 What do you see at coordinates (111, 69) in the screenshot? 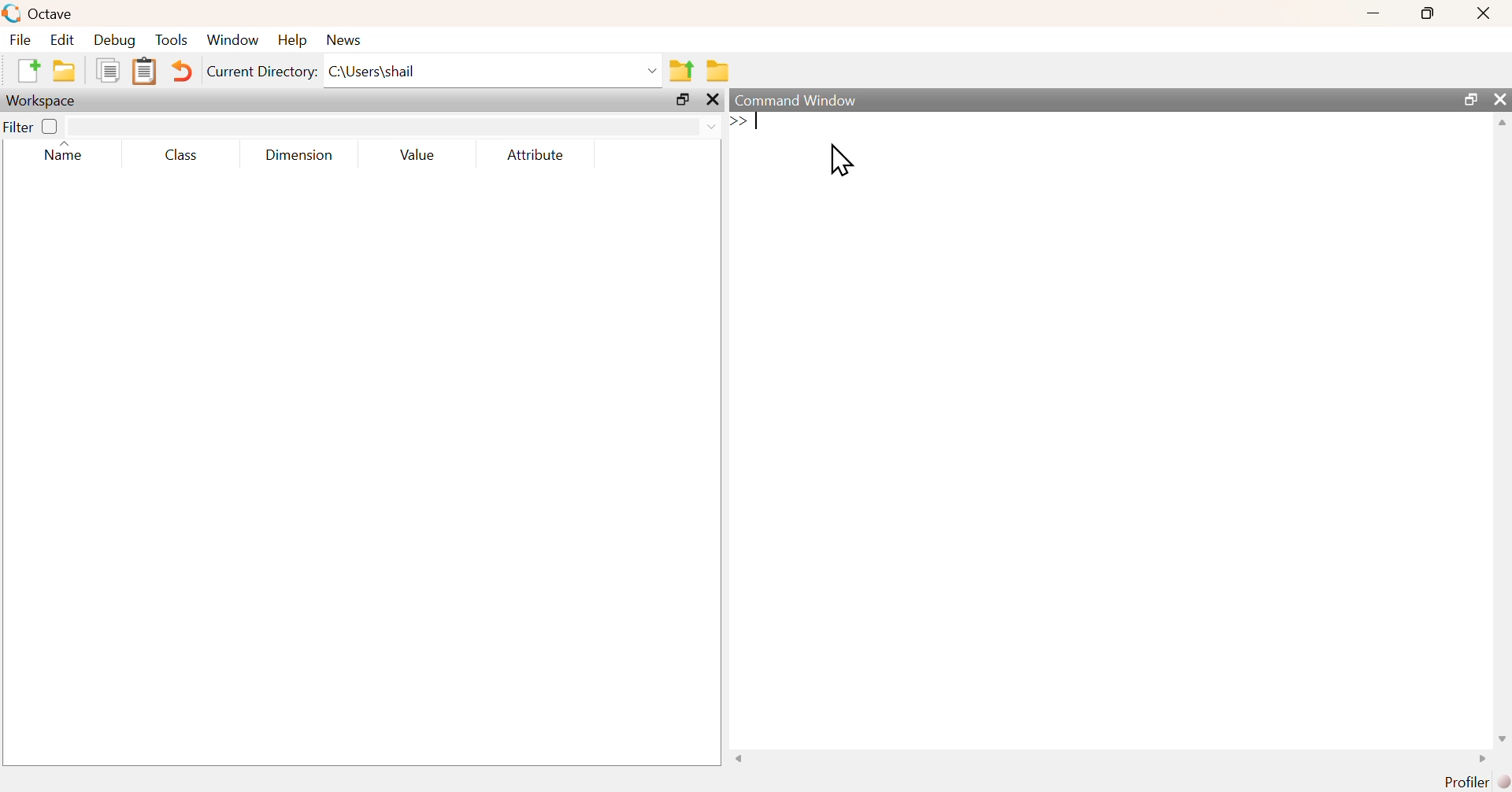
I see `copy` at bounding box center [111, 69].